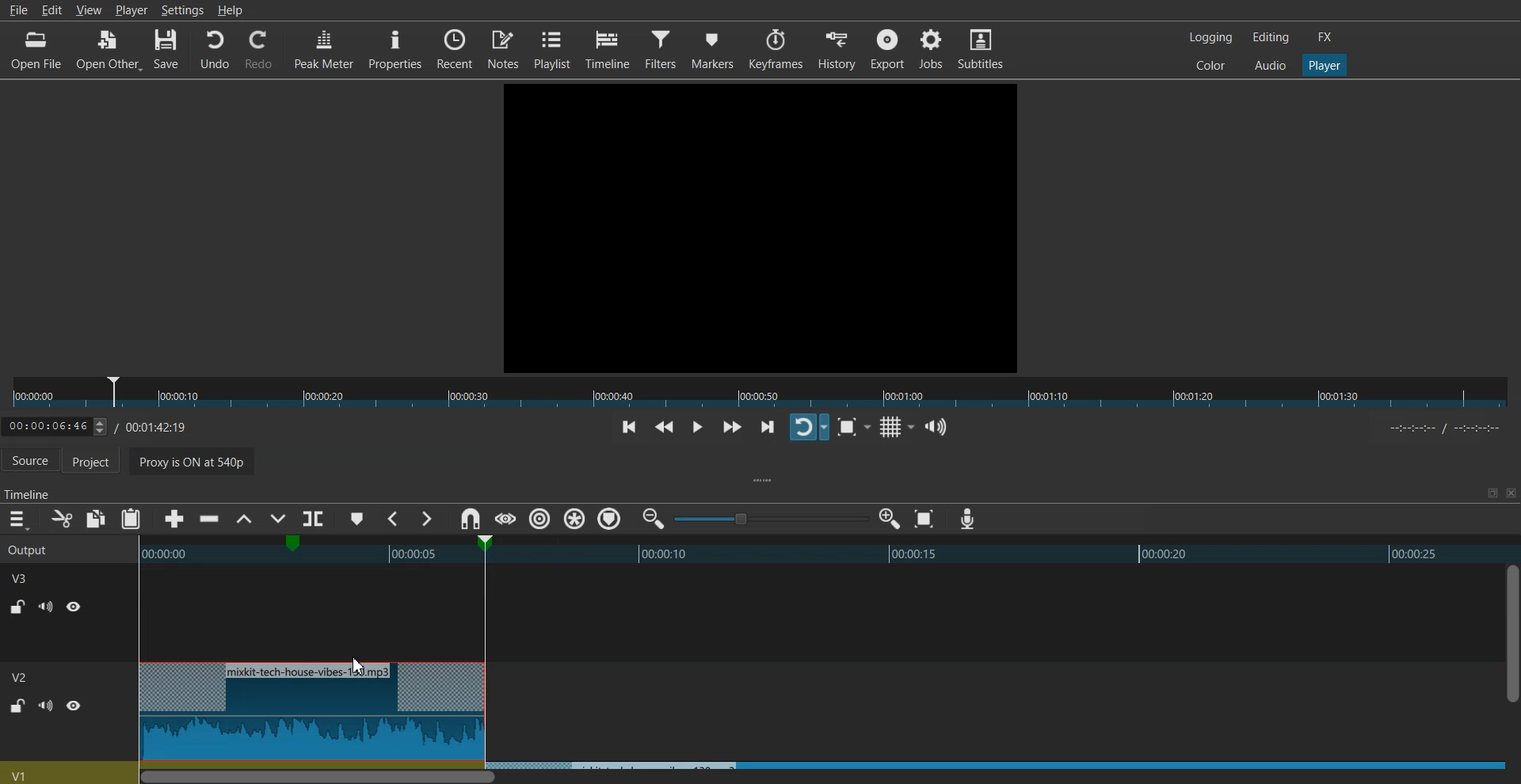  What do you see at coordinates (243, 519) in the screenshot?
I see `Lift` at bounding box center [243, 519].